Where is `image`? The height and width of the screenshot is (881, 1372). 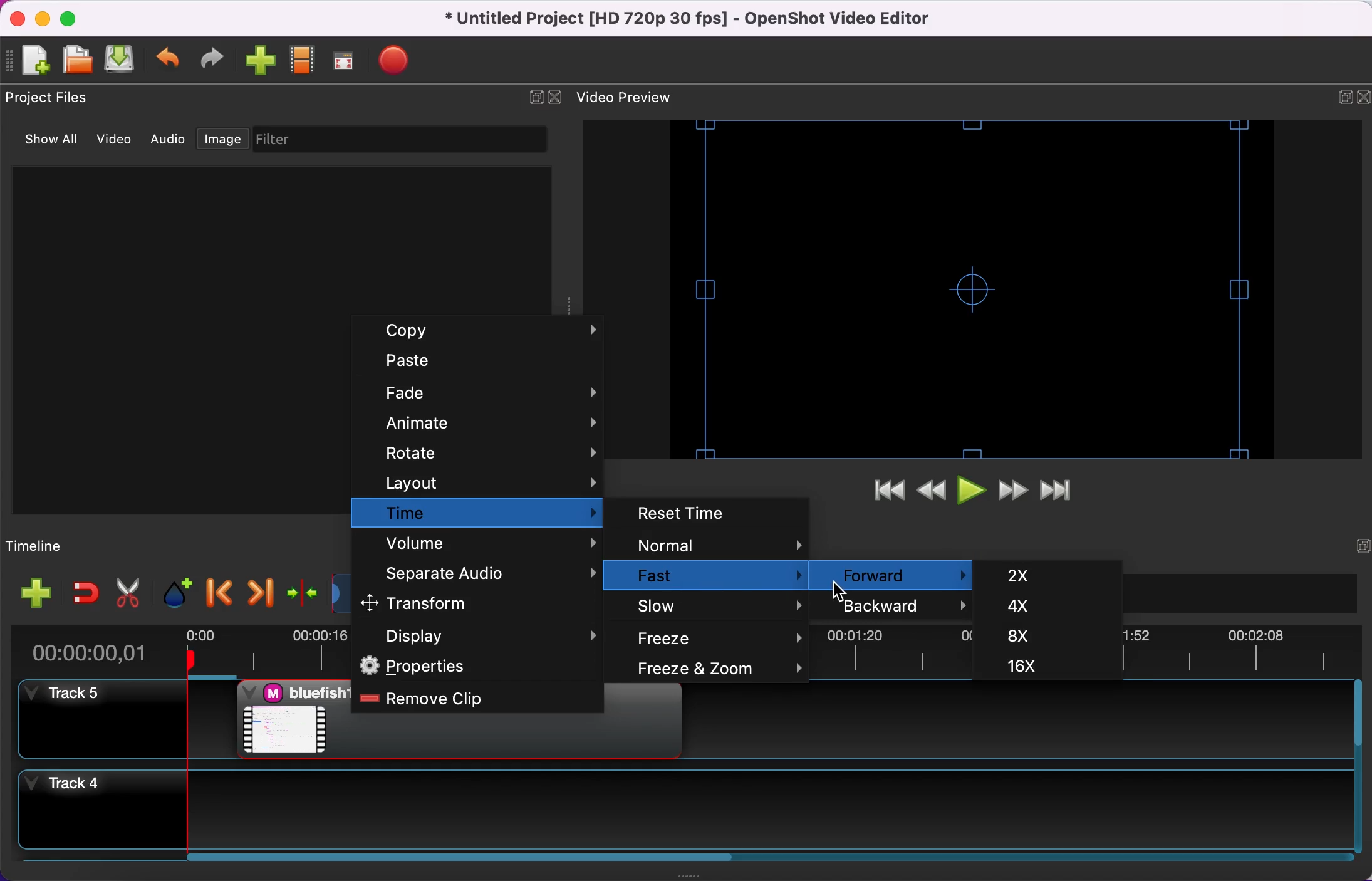
image is located at coordinates (221, 140).